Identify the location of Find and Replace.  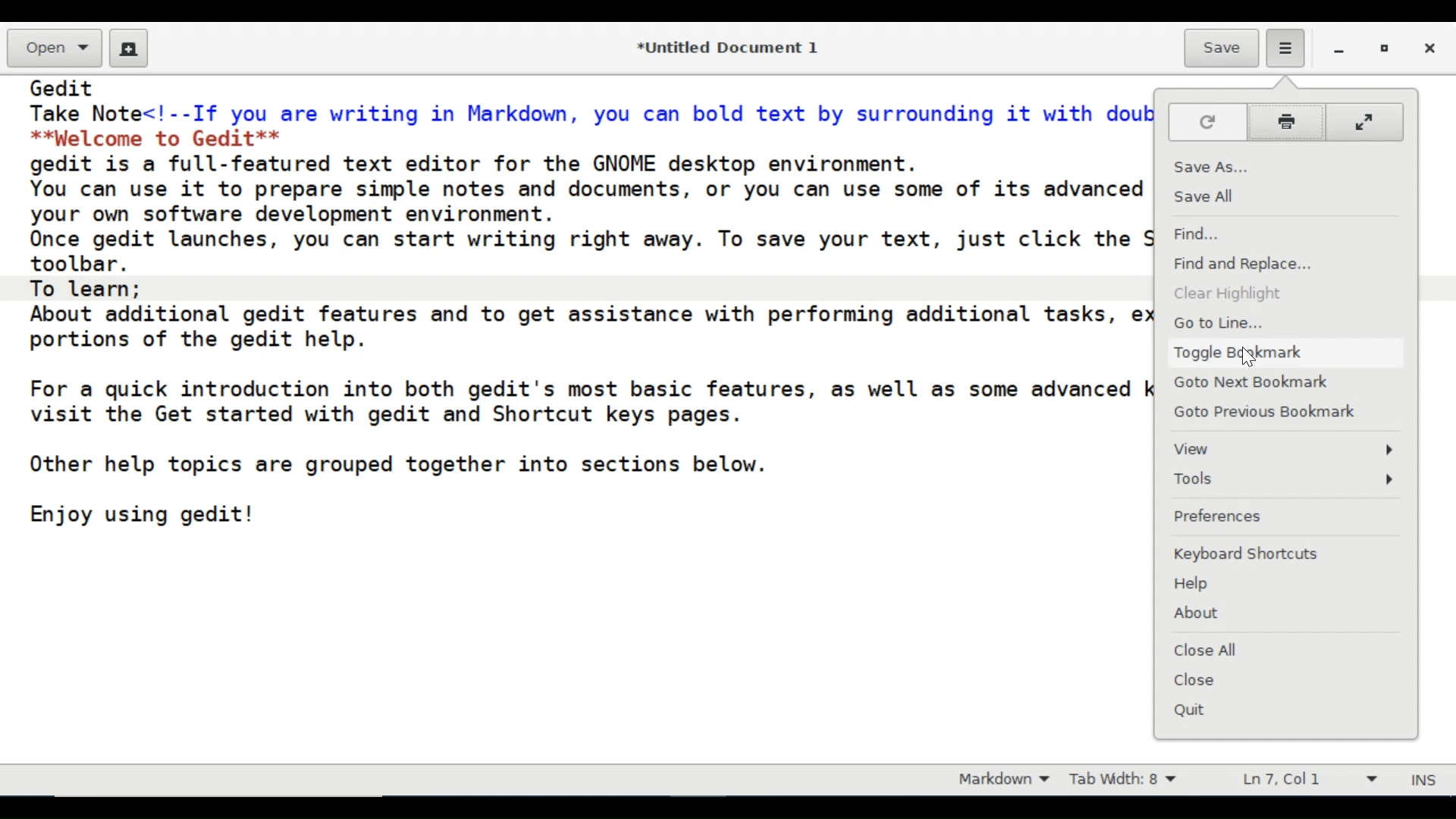
(1246, 265).